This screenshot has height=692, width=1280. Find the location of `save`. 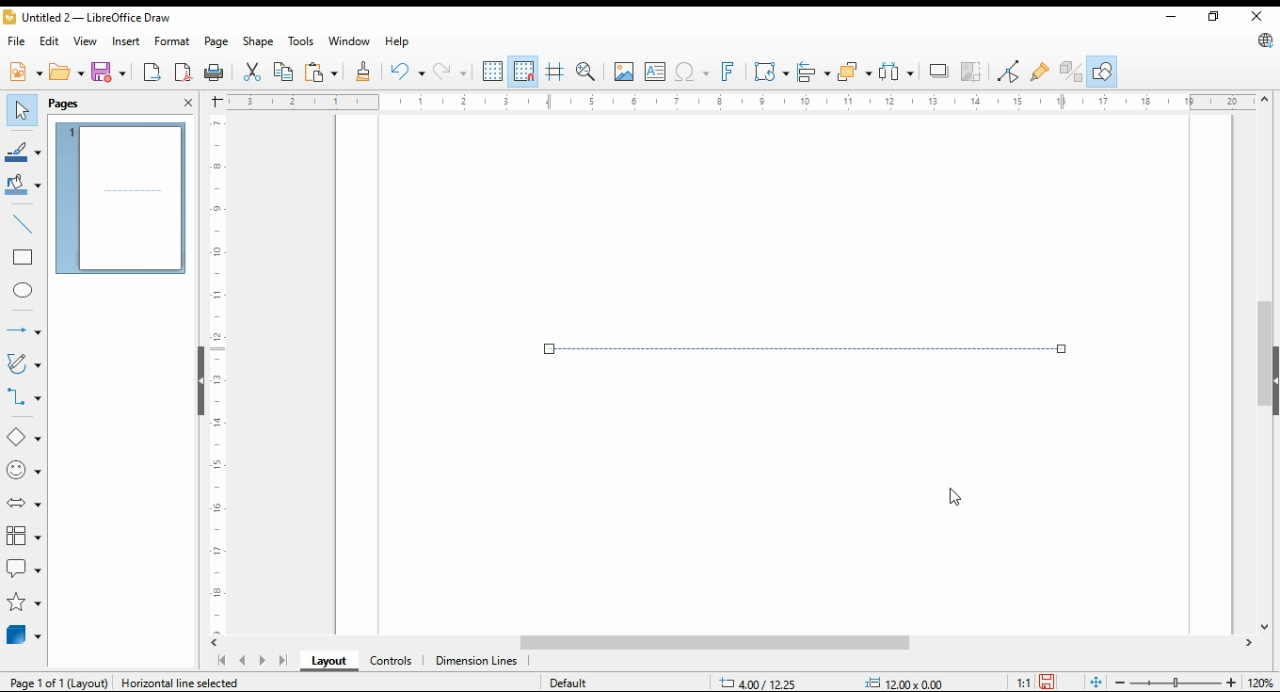

save is located at coordinates (1046, 682).